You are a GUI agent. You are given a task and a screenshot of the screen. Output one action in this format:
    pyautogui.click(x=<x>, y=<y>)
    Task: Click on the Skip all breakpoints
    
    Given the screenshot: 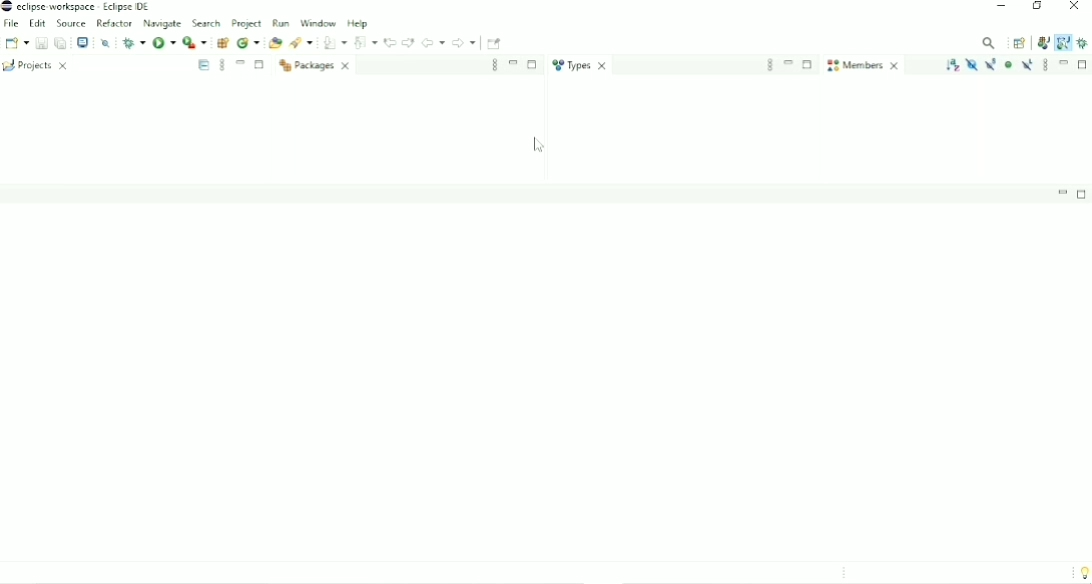 What is the action you would take?
    pyautogui.click(x=105, y=43)
    